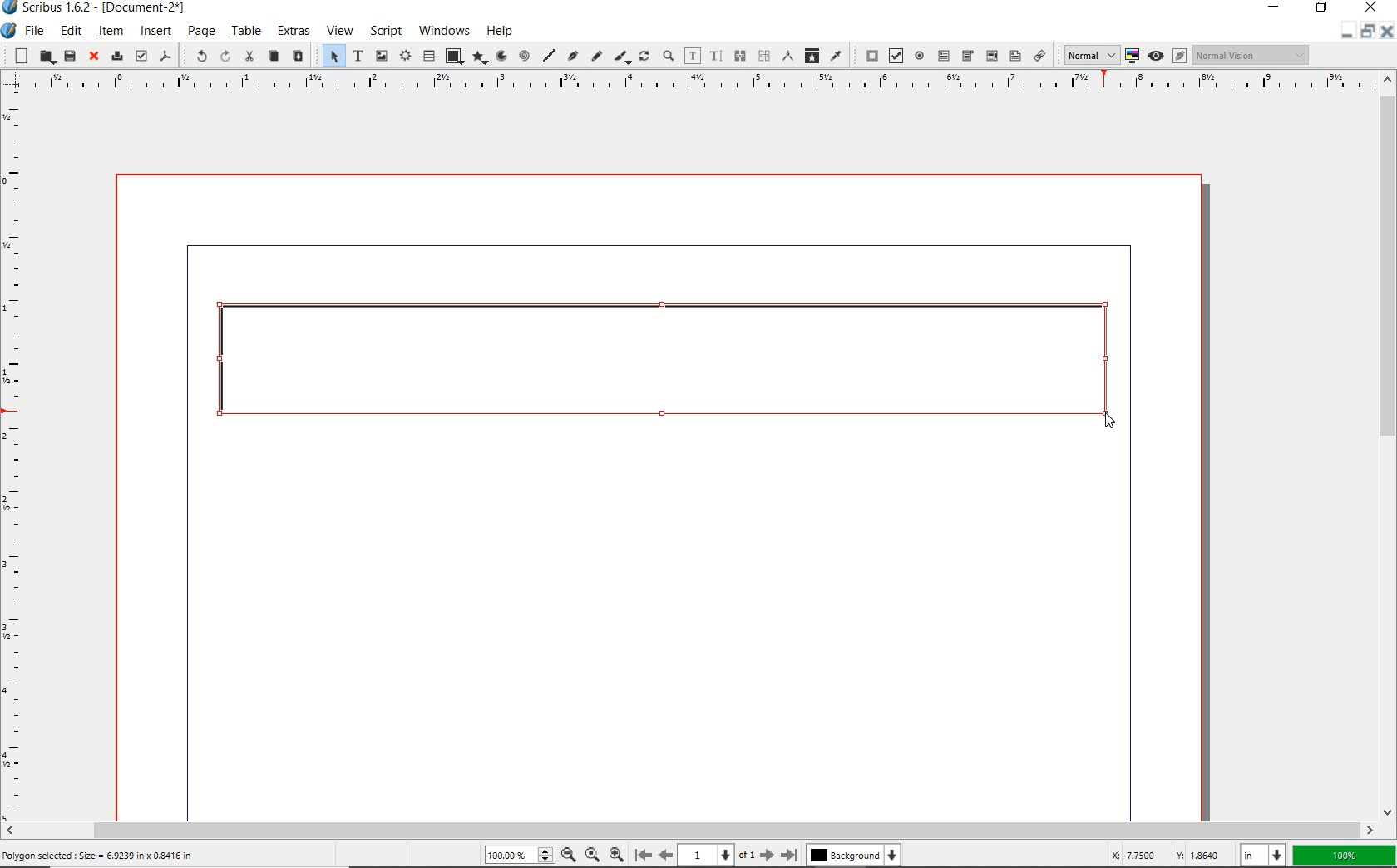 Image resolution: width=1397 pixels, height=868 pixels. What do you see at coordinates (1389, 32) in the screenshot?
I see `close` at bounding box center [1389, 32].